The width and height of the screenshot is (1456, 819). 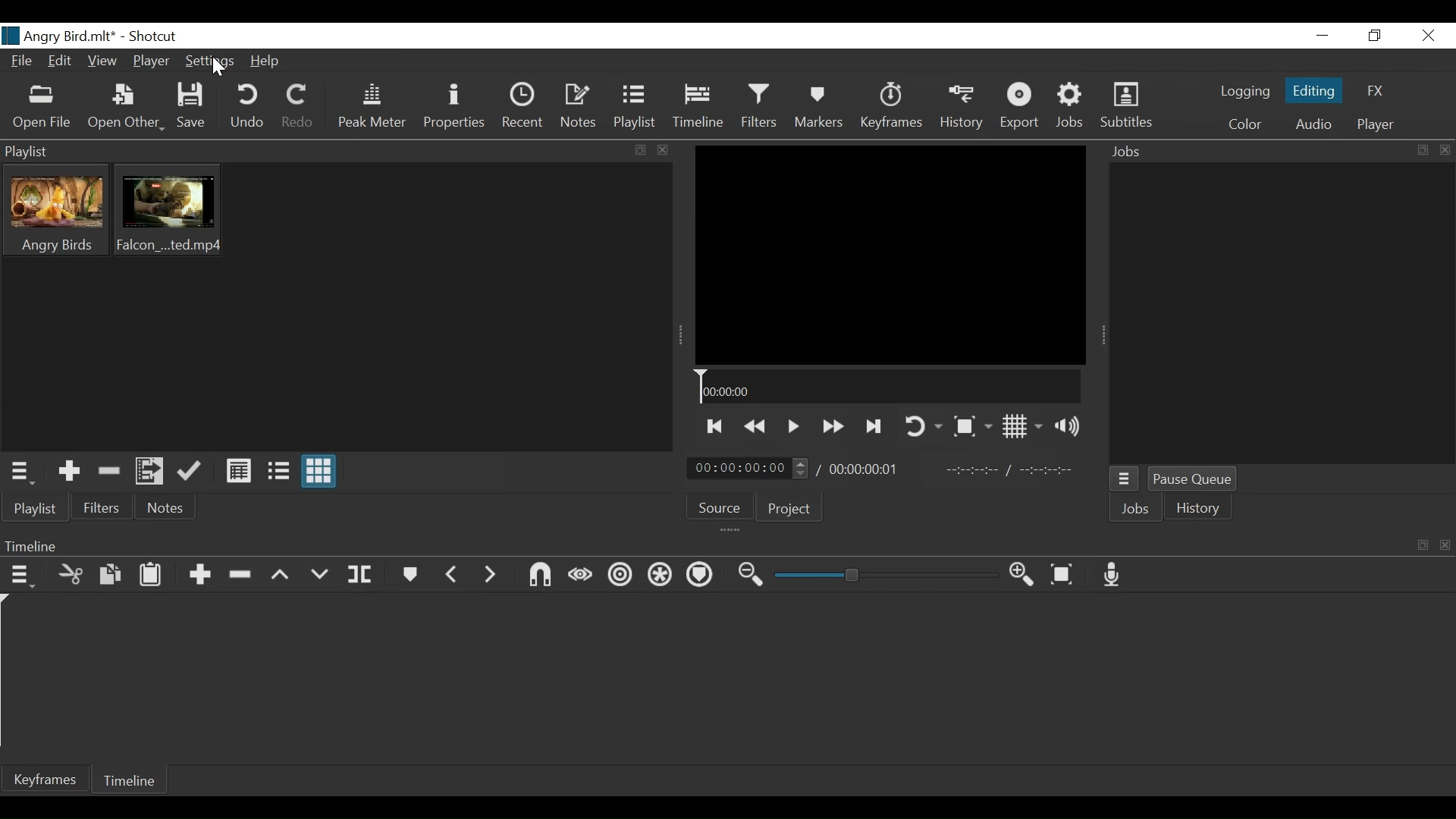 I want to click on Recent, so click(x=525, y=106).